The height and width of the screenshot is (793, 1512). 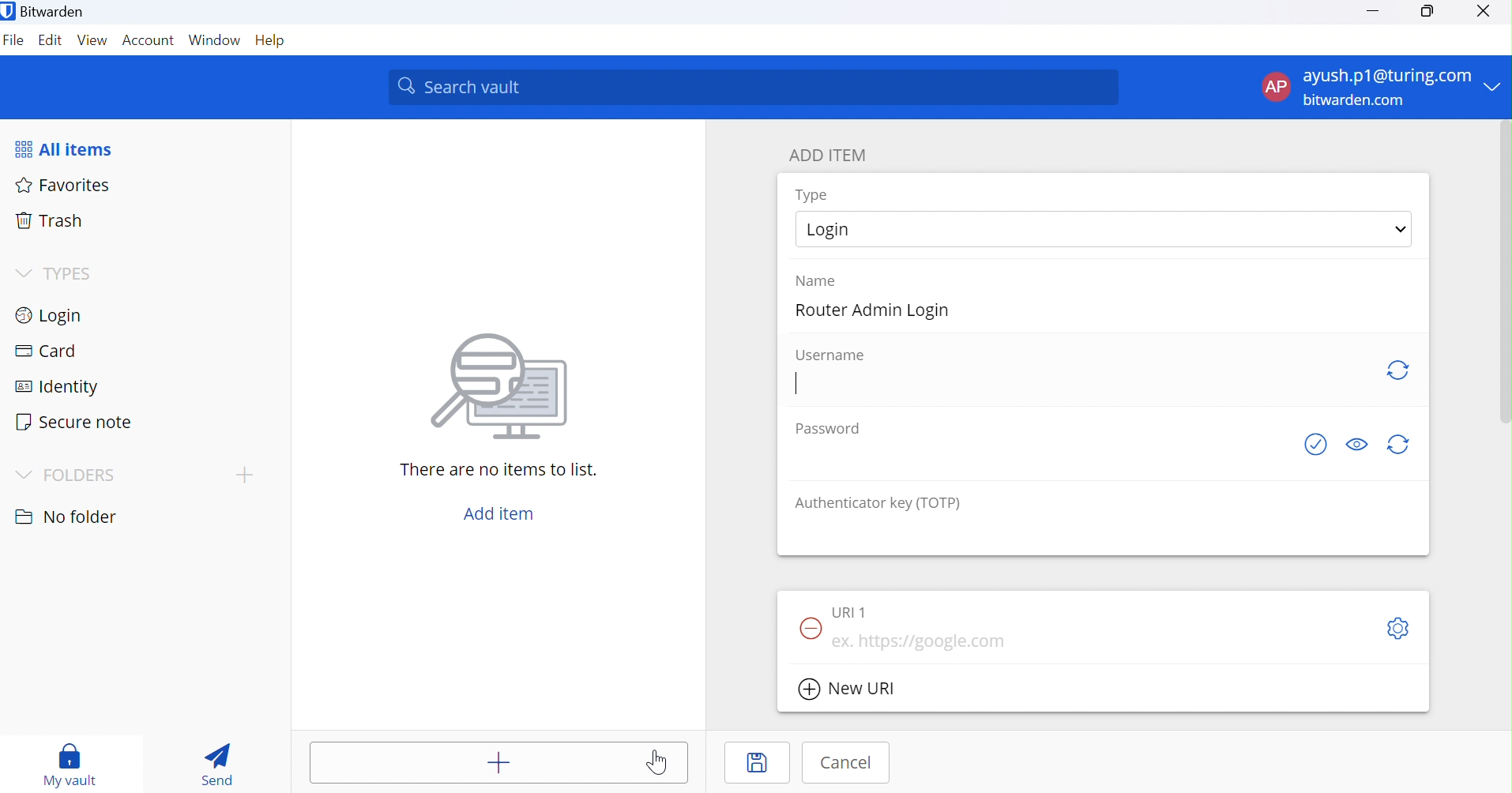 I want to click on Authenticator key (TOTP), so click(x=878, y=502).